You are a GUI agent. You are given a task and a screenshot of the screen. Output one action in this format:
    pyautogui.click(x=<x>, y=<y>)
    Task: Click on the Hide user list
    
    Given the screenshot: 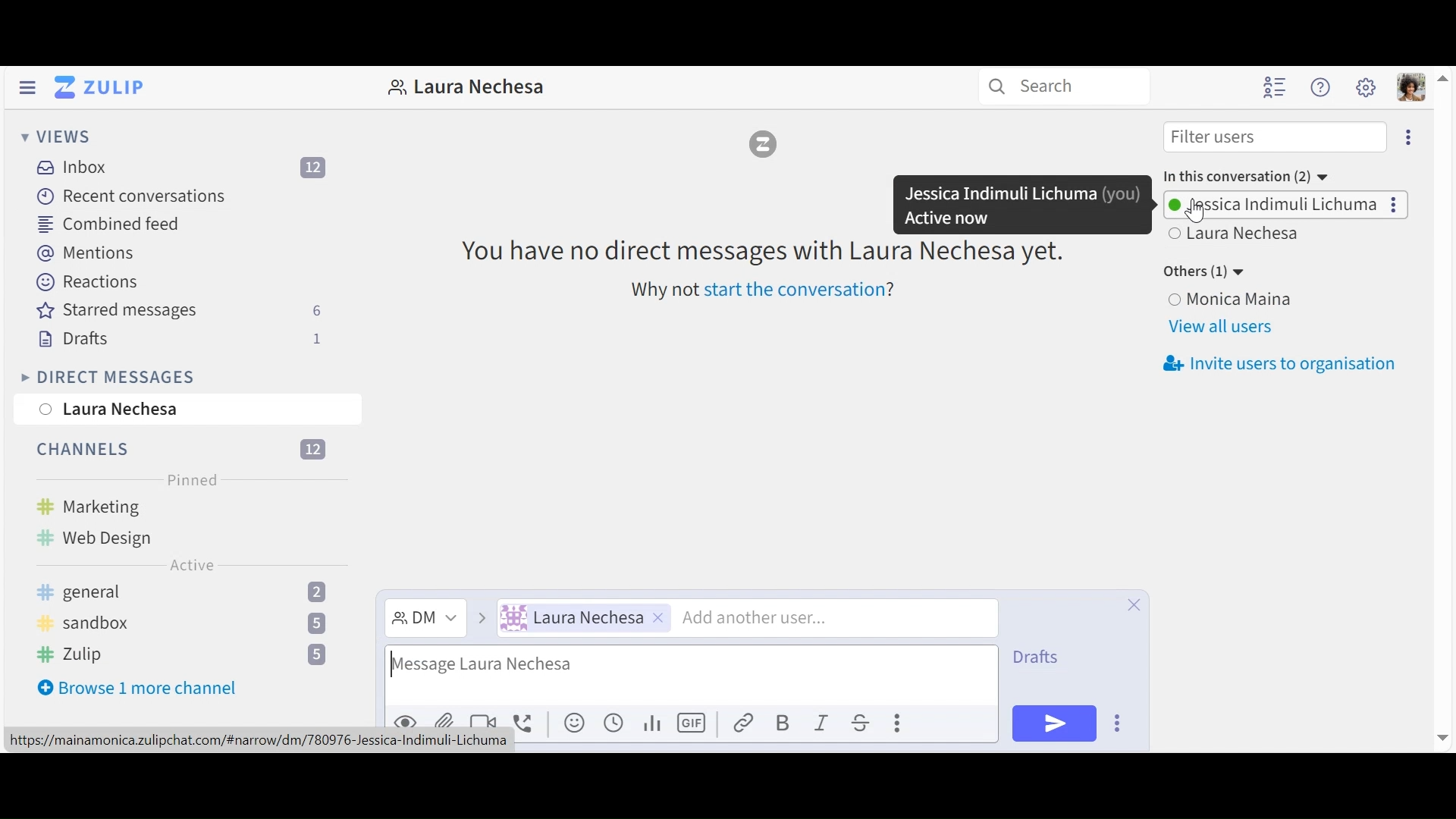 What is the action you would take?
    pyautogui.click(x=1276, y=88)
    